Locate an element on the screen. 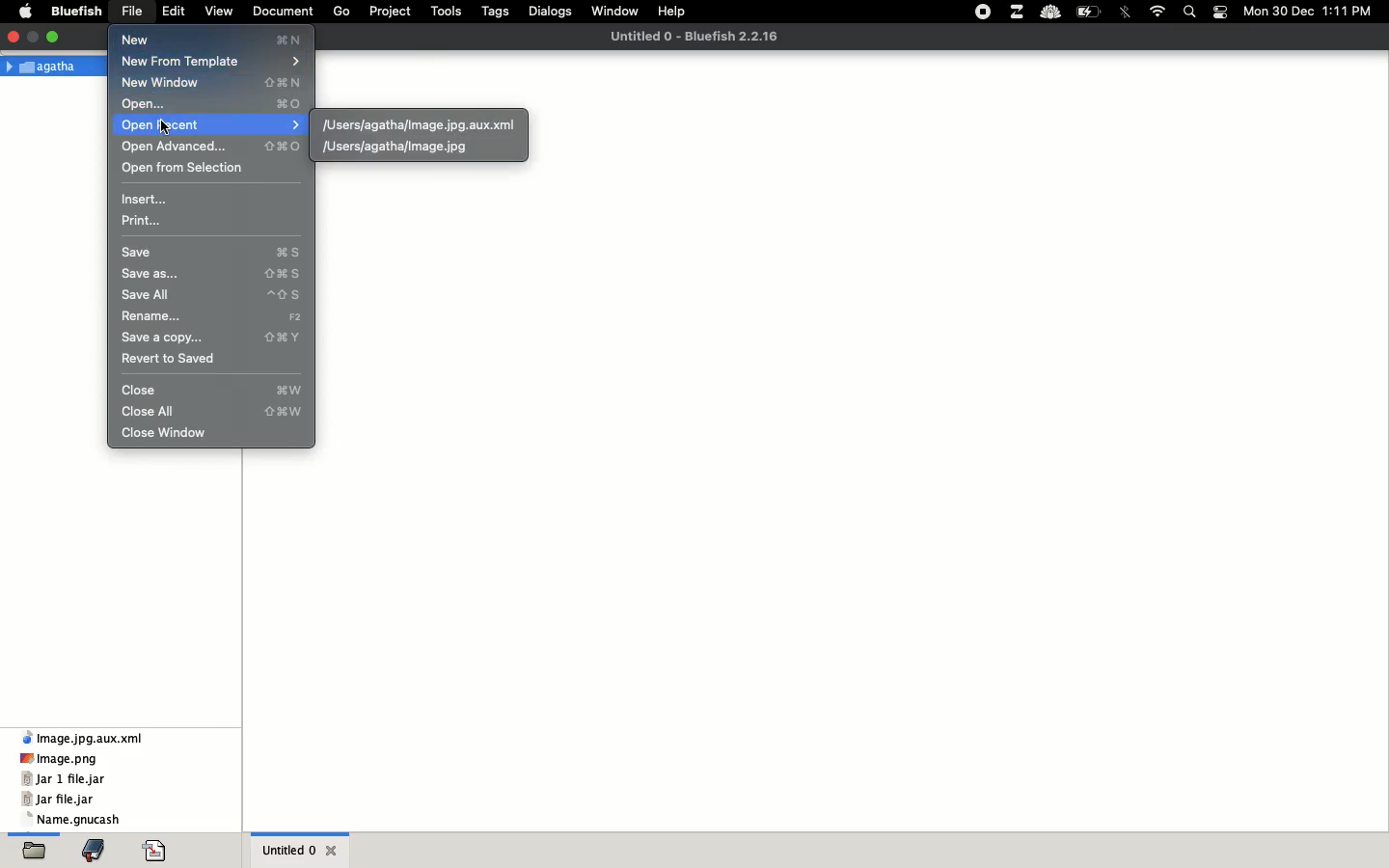 This screenshot has height=868, width=1389. project is located at coordinates (390, 12).